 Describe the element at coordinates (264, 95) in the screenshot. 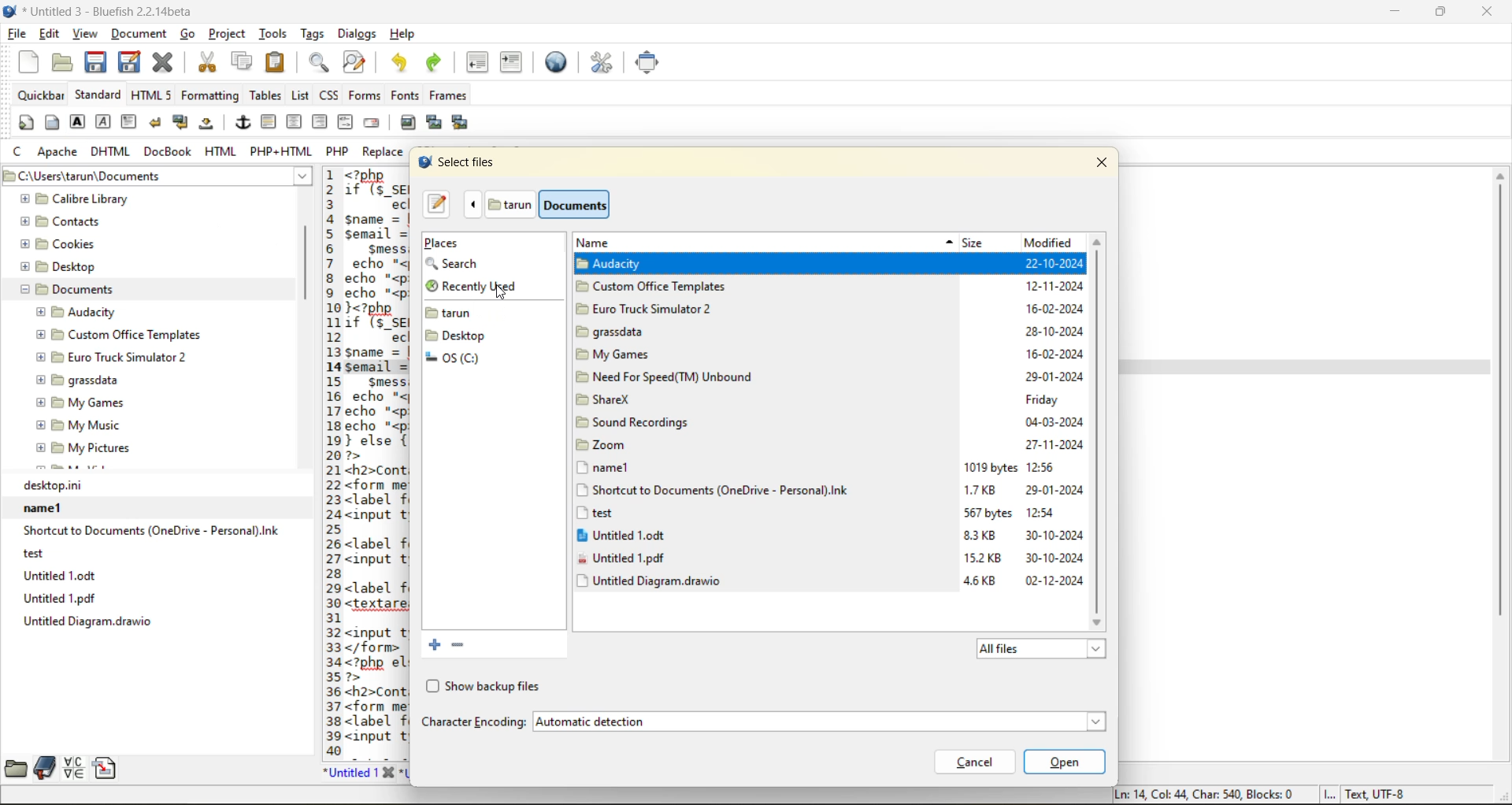

I see `tables` at that location.